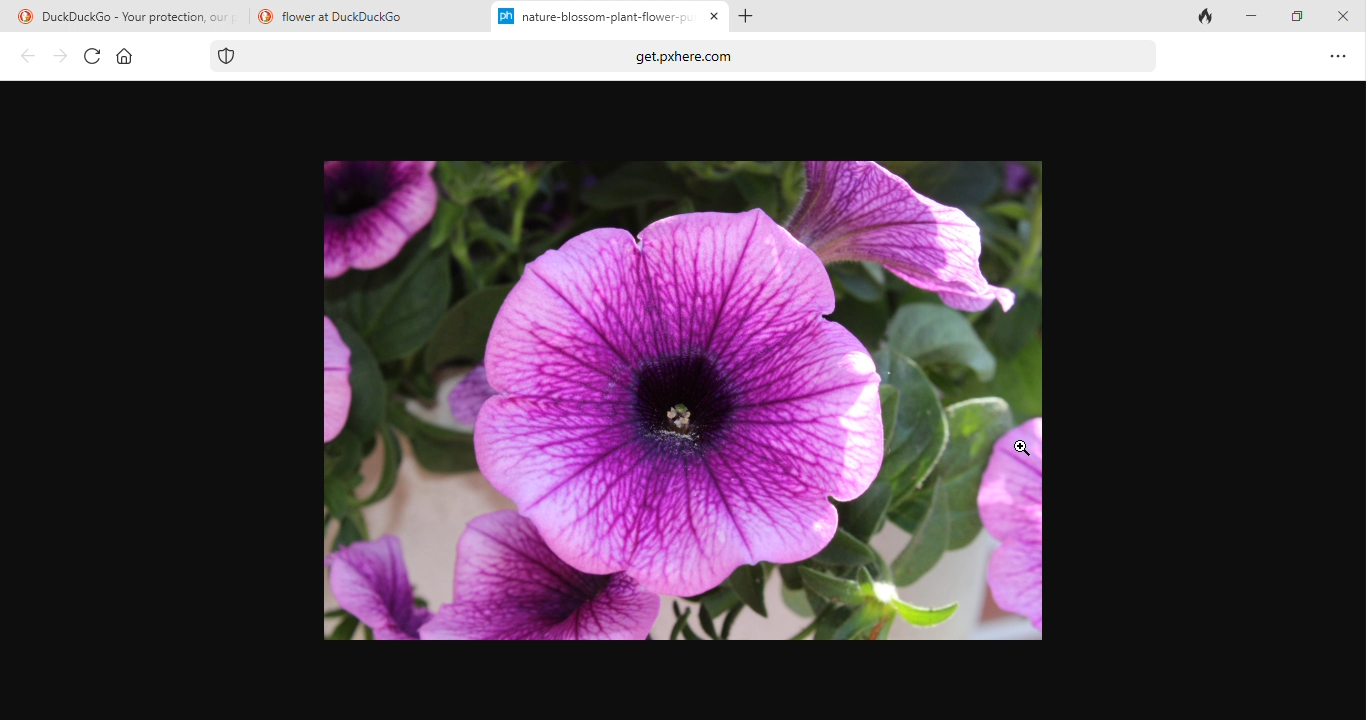 This screenshot has height=720, width=1366. What do you see at coordinates (1022, 449) in the screenshot?
I see `cursor` at bounding box center [1022, 449].